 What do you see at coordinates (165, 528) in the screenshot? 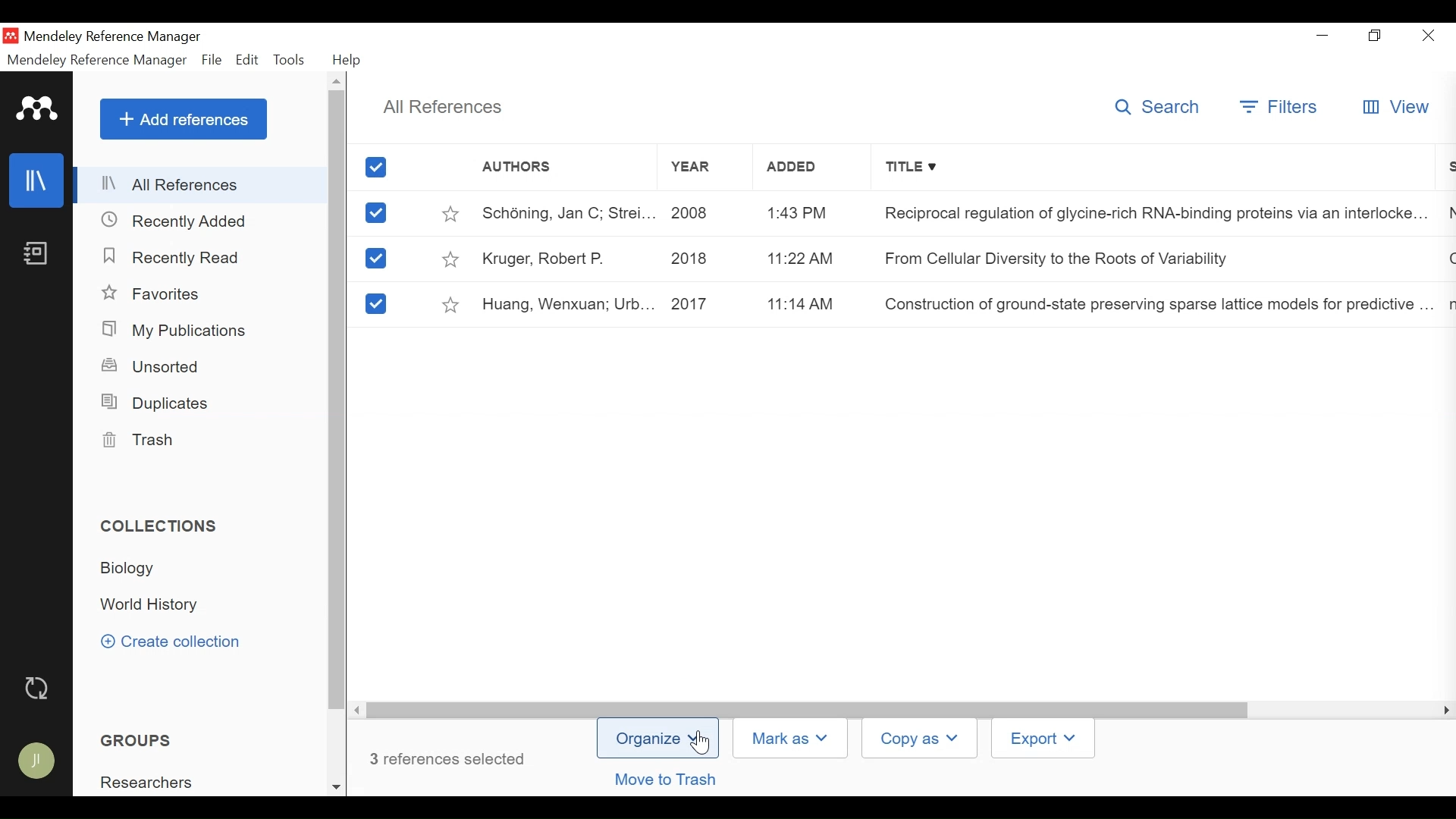
I see `Collection` at bounding box center [165, 528].